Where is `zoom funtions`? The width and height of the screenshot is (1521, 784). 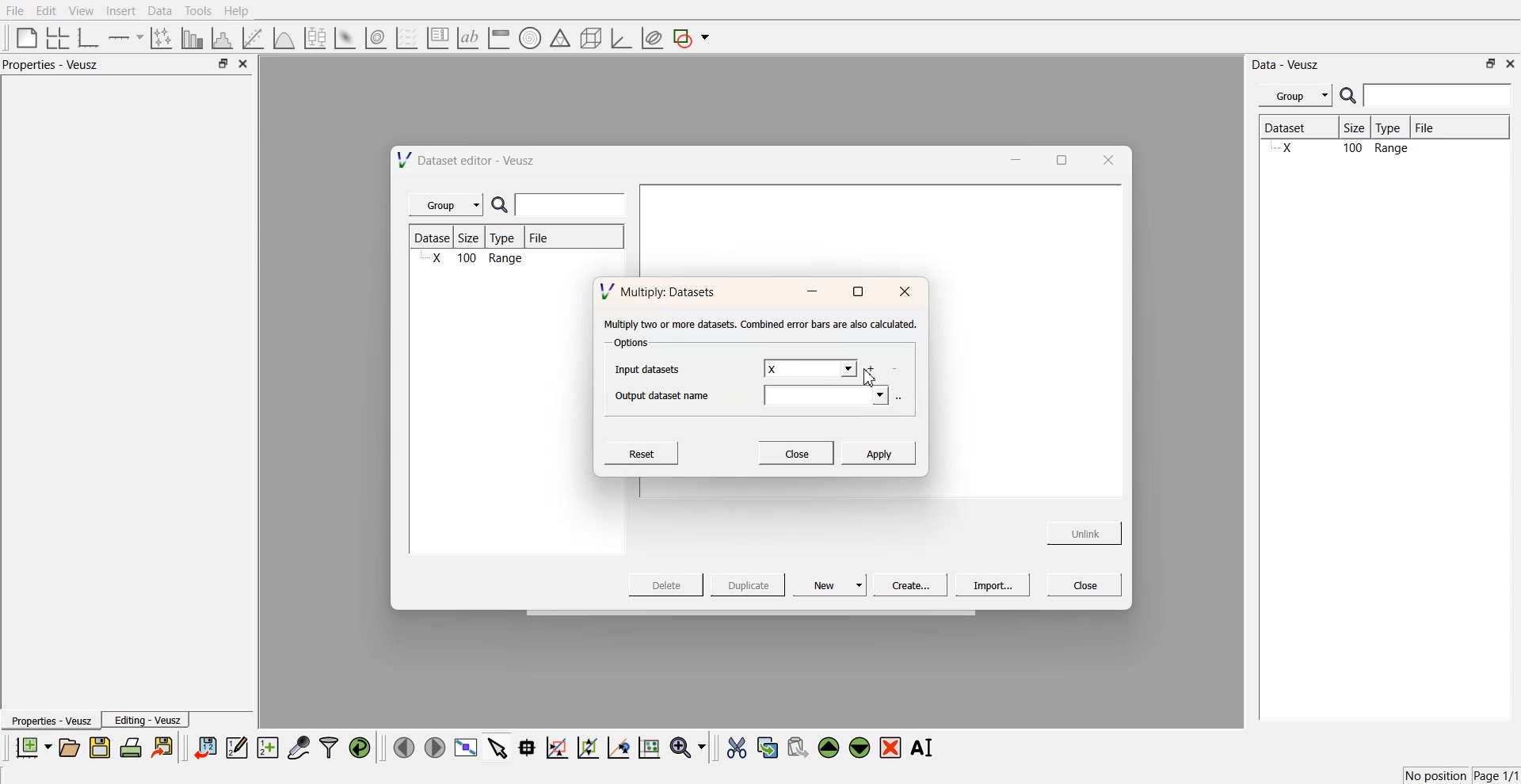
zoom funtions is located at coordinates (688, 748).